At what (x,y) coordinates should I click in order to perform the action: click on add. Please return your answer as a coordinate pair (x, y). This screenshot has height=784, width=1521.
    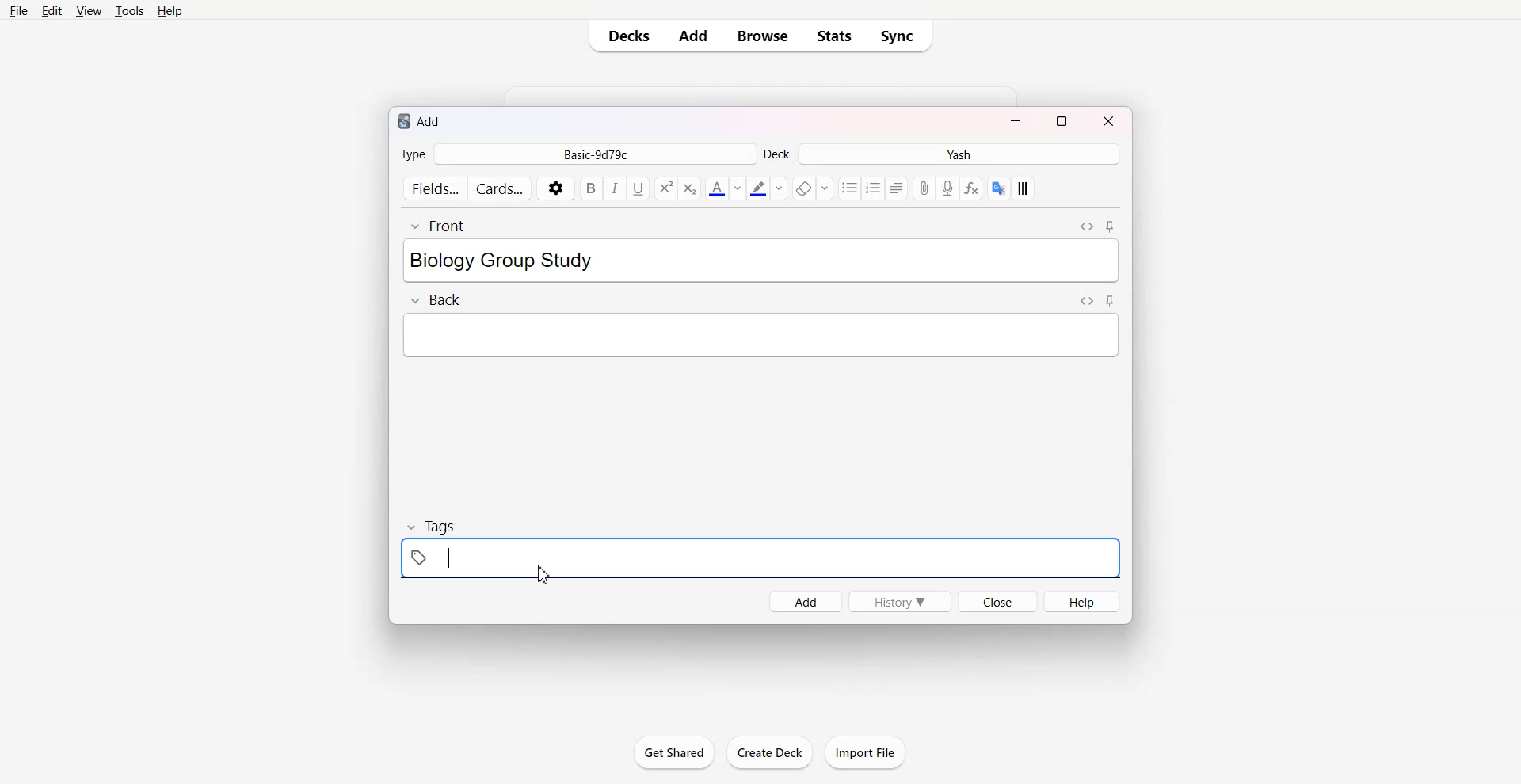
    Looking at the image, I should click on (421, 121).